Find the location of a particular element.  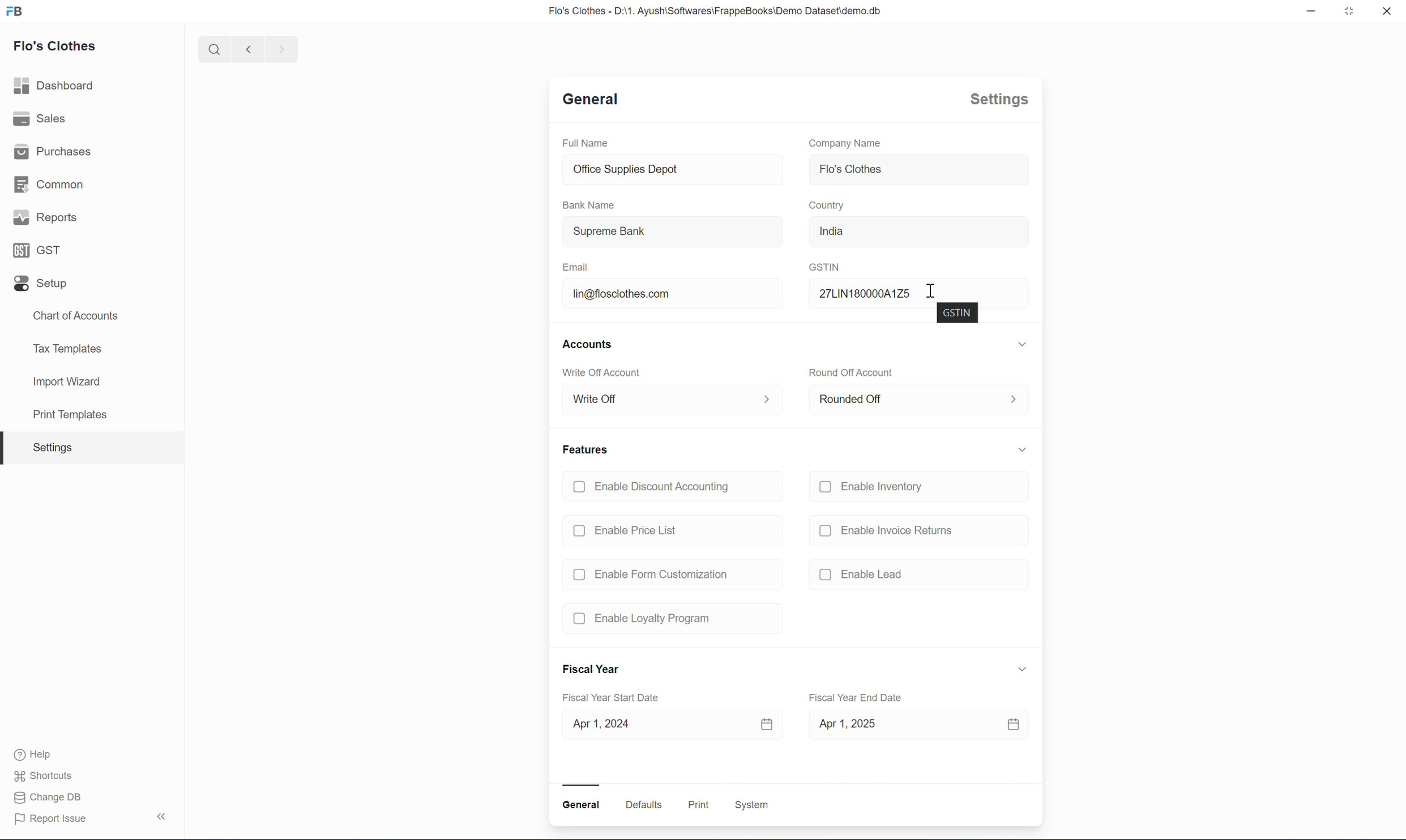

backward is located at coordinates (250, 49).